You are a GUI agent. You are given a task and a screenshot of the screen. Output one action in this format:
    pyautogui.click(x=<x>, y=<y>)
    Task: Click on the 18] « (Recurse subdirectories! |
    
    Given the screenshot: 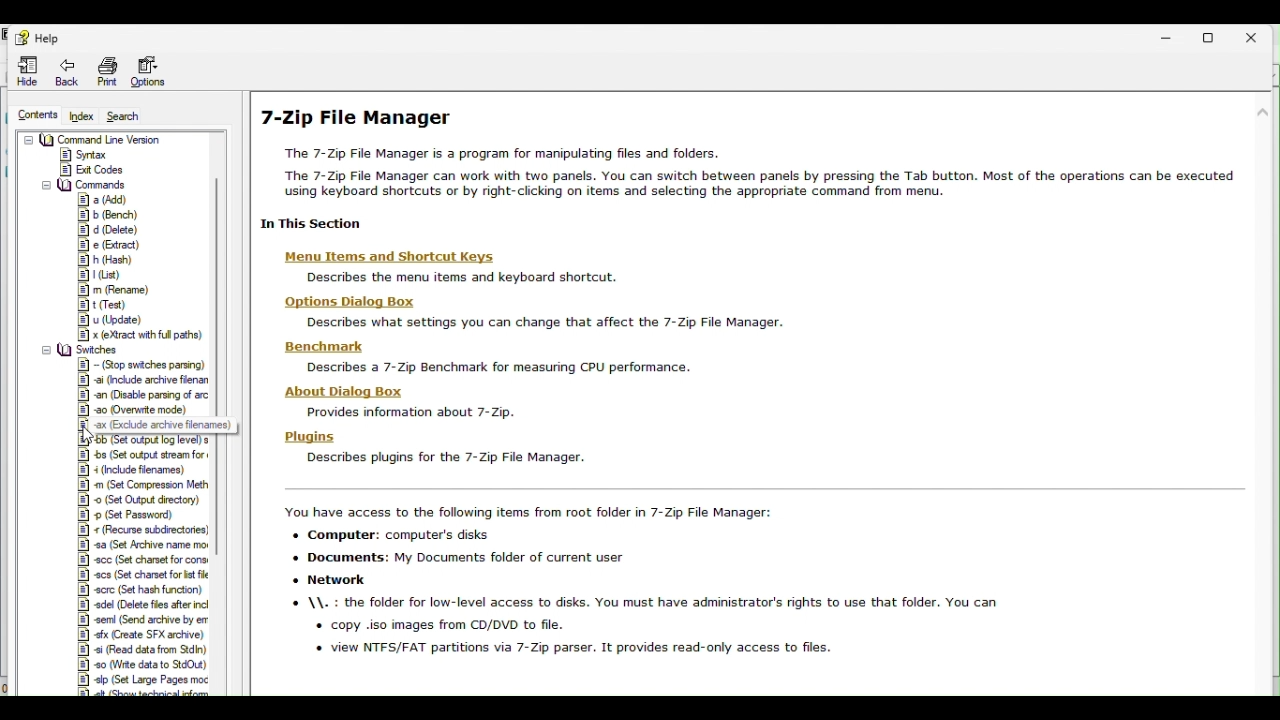 What is the action you would take?
    pyautogui.click(x=145, y=529)
    